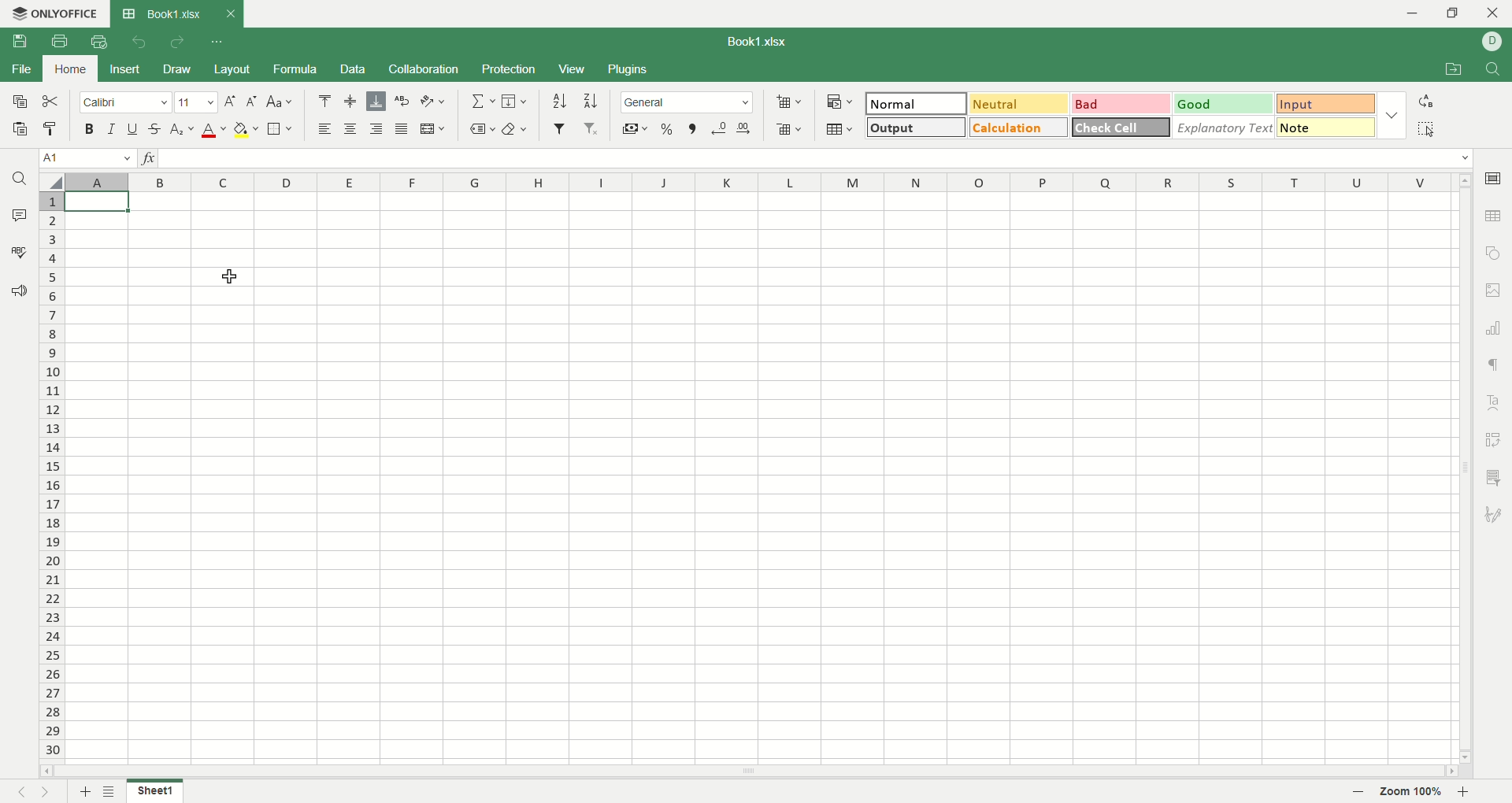 This screenshot has height=803, width=1512. Describe the element at coordinates (218, 43) in the screenshot. I see `quick access toolbar` at that location.